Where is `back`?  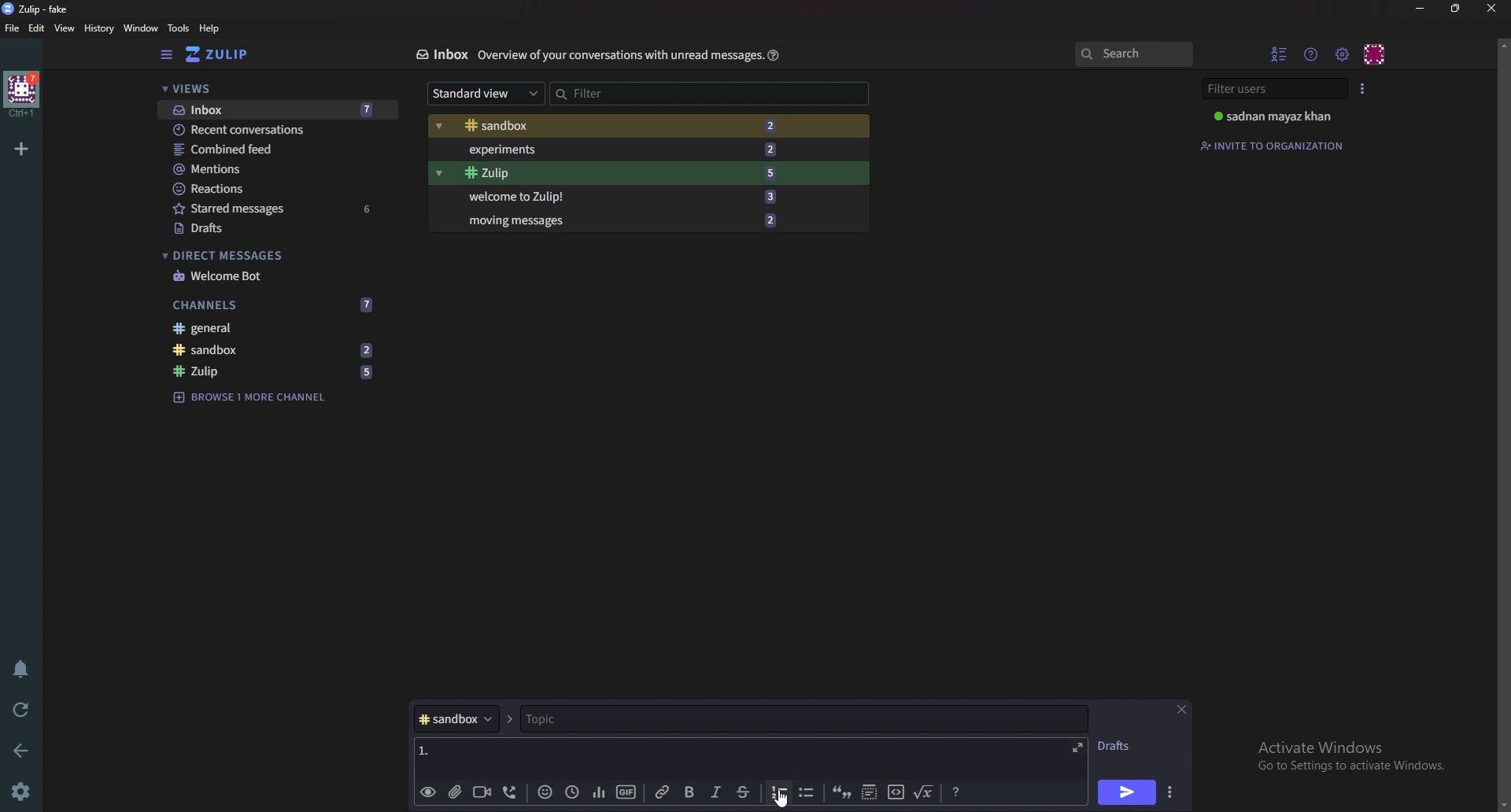 back is located at coordinates (24, 748).